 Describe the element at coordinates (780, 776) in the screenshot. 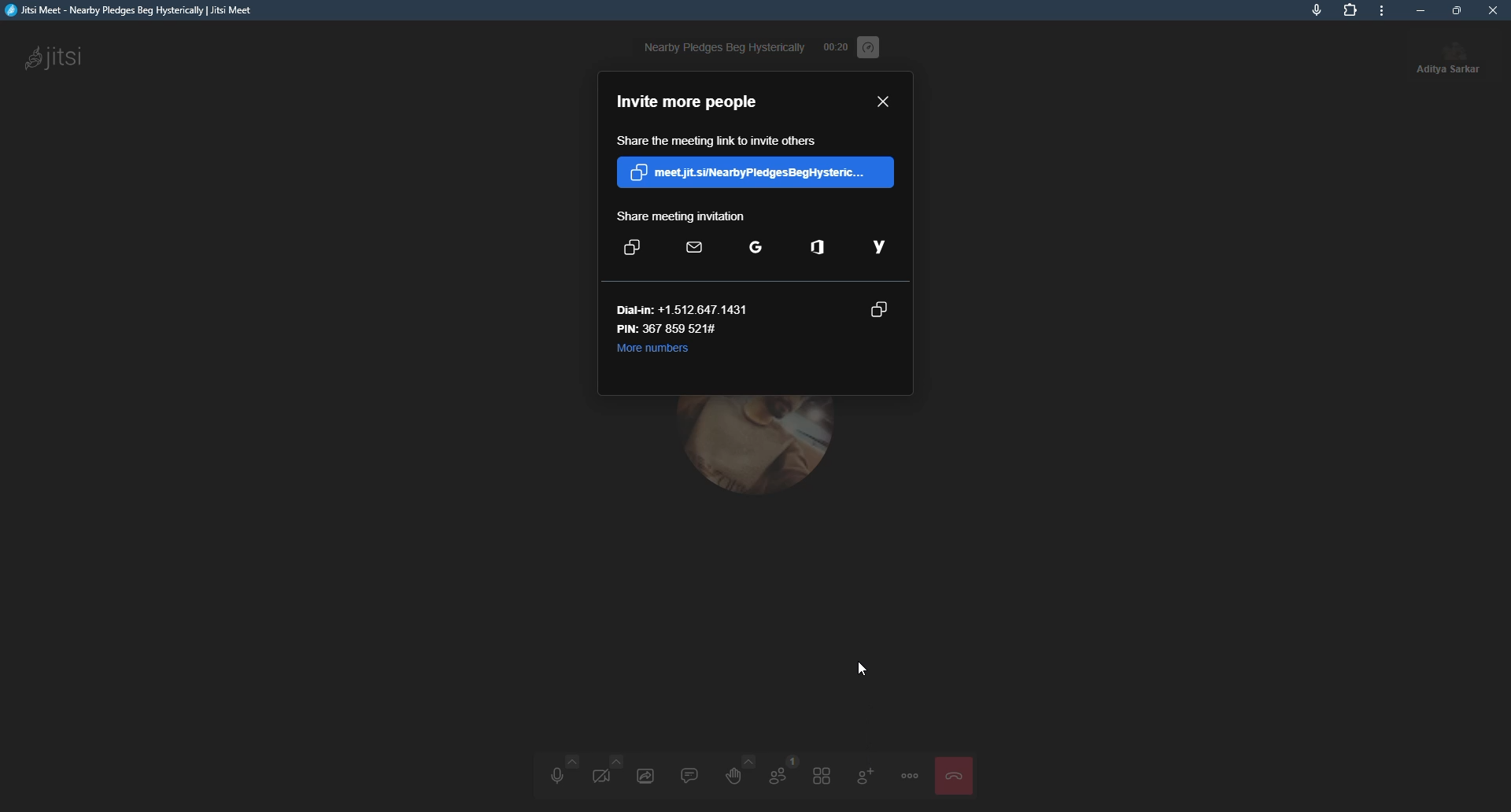

I see `participants` at that location.